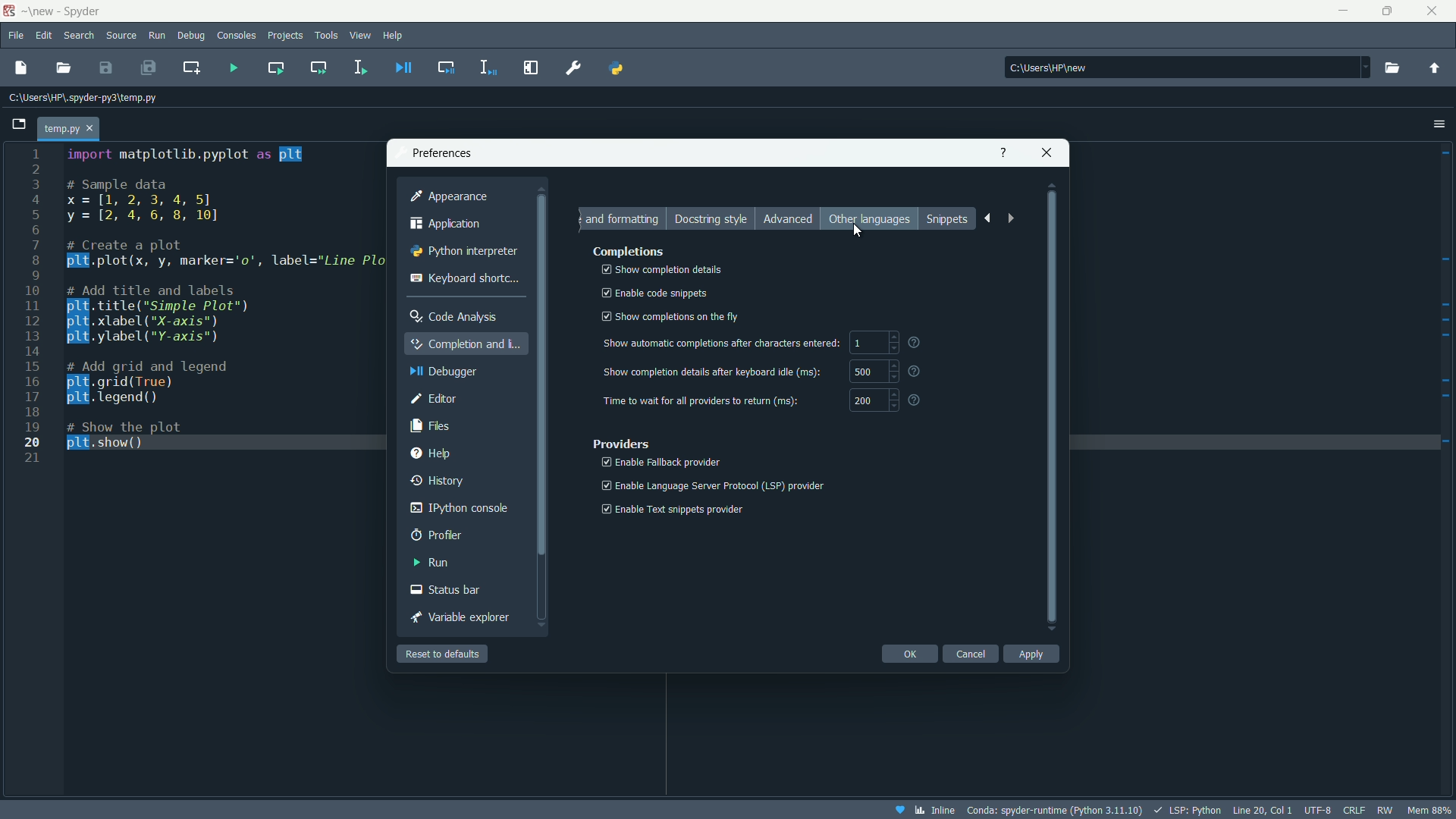  I want to click on editor, so click(434, 398).